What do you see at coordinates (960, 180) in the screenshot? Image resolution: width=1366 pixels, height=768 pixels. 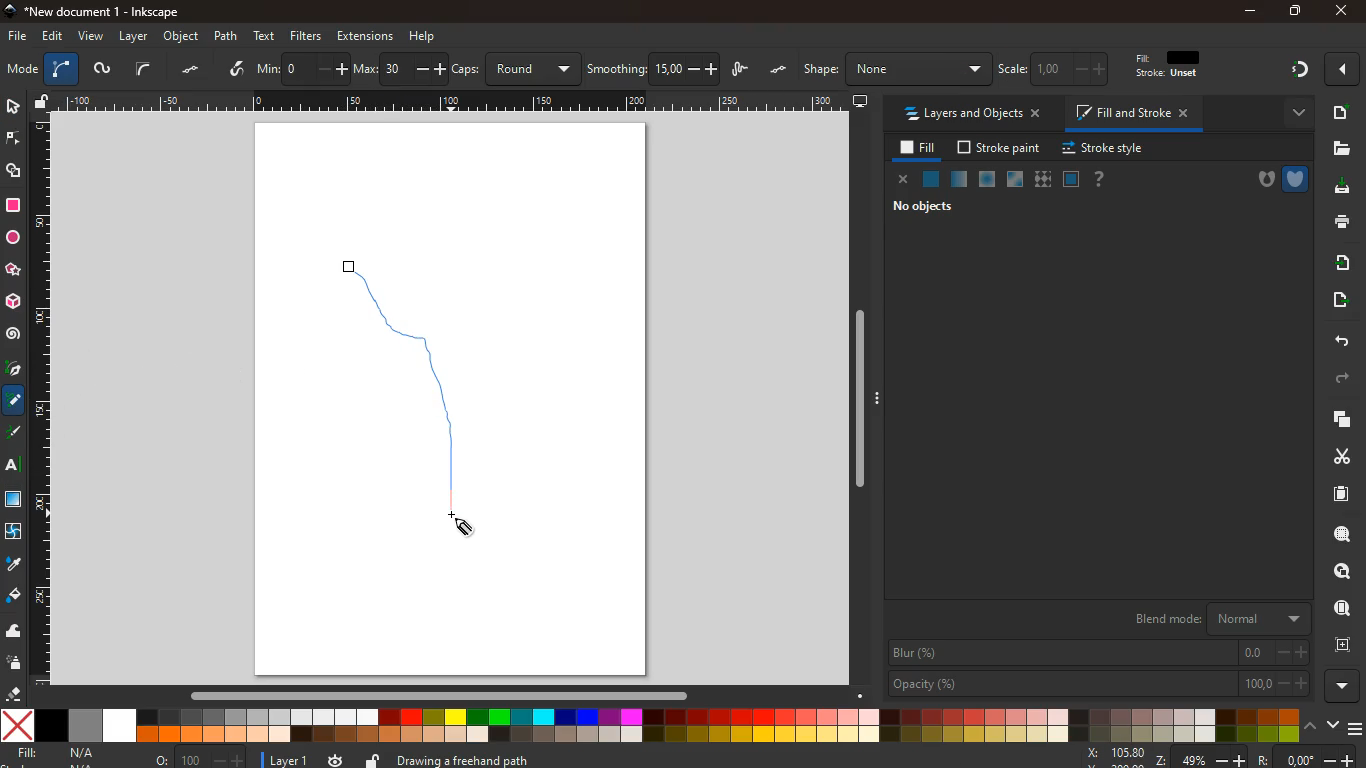 I see `opacity` at bounding box center [960, 180].